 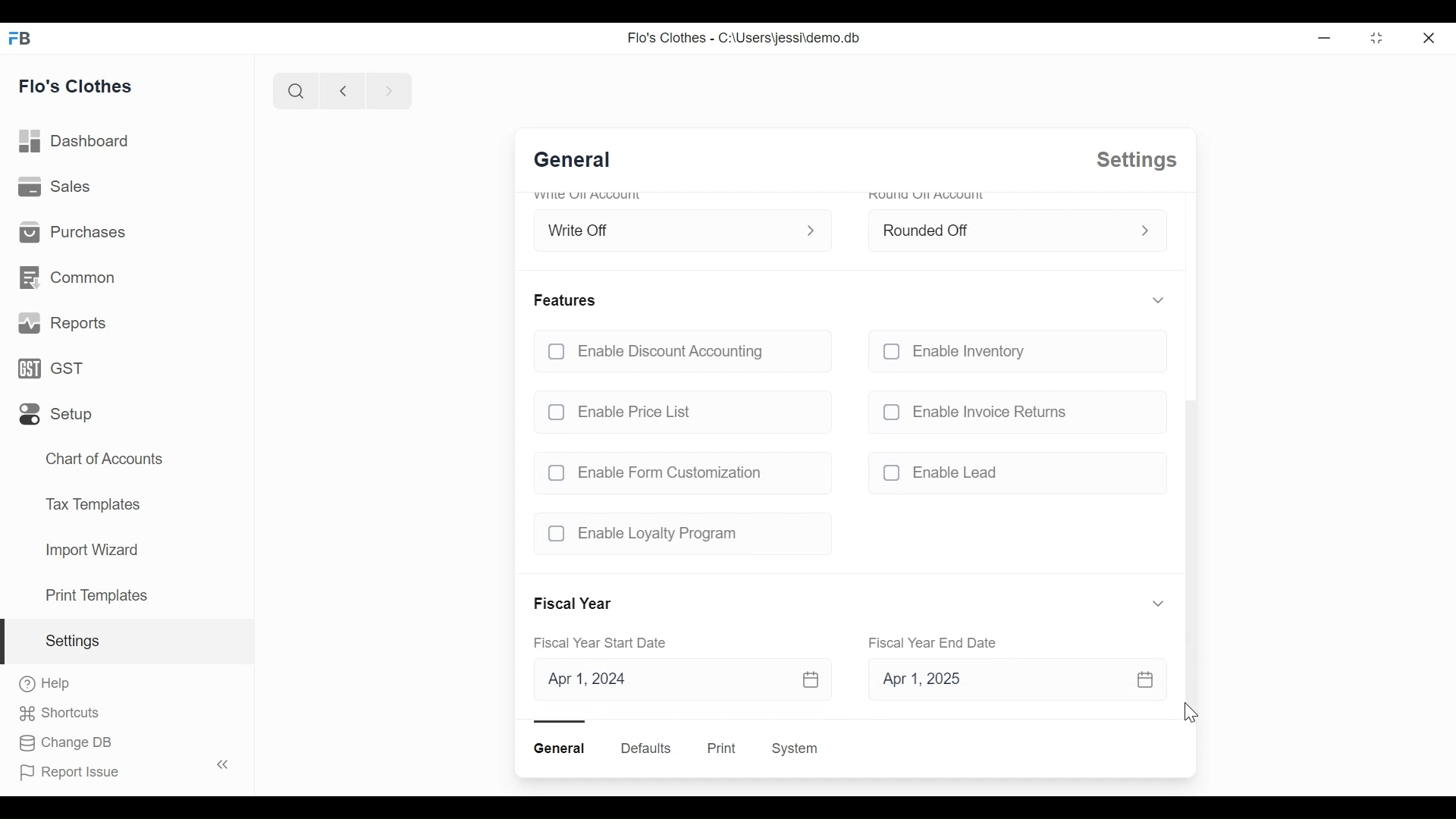 I want to click on Shortcuts, so click(x=66, y=714).